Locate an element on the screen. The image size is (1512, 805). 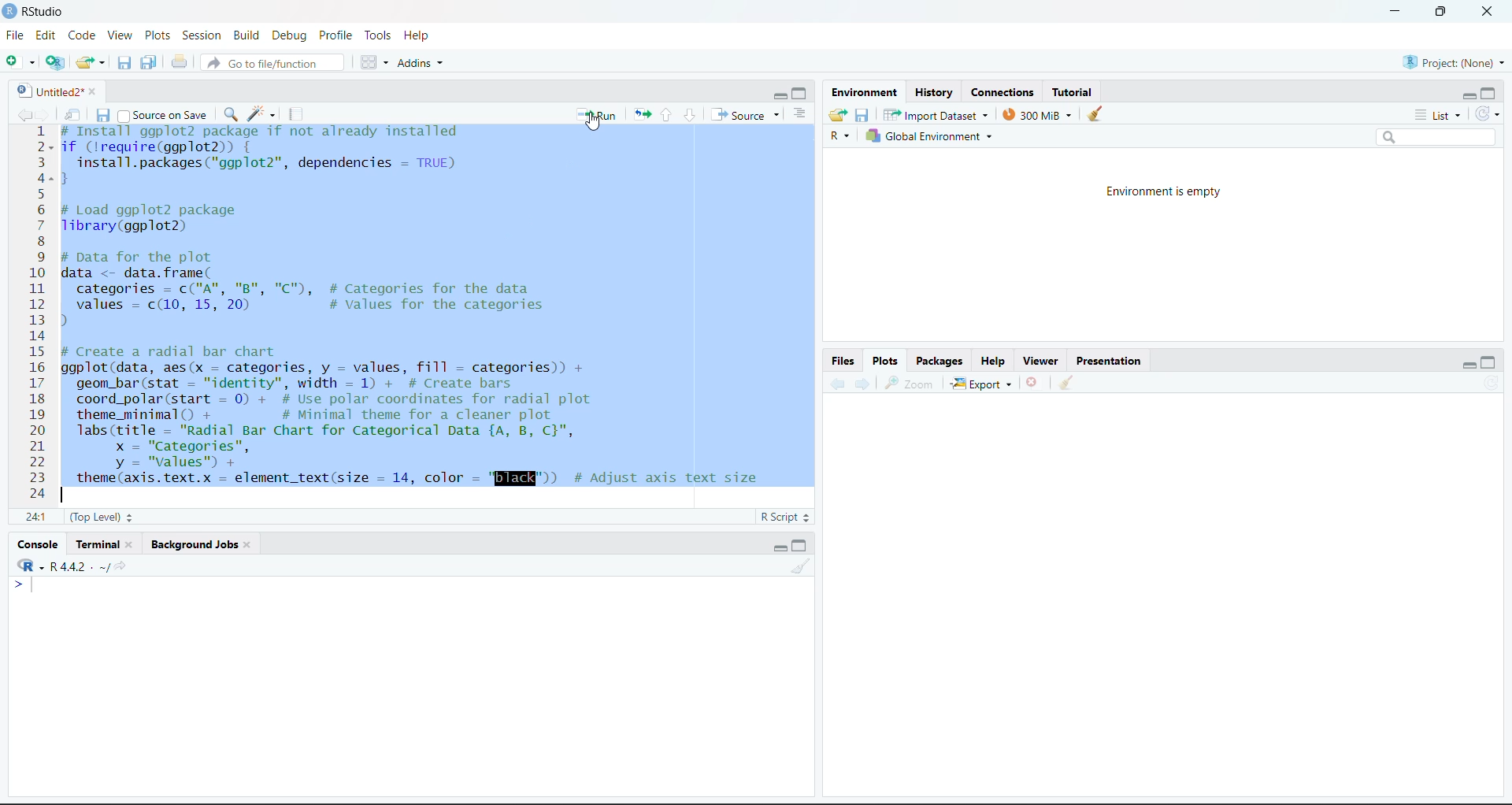
load workspace is located at coordinates (838, 114).